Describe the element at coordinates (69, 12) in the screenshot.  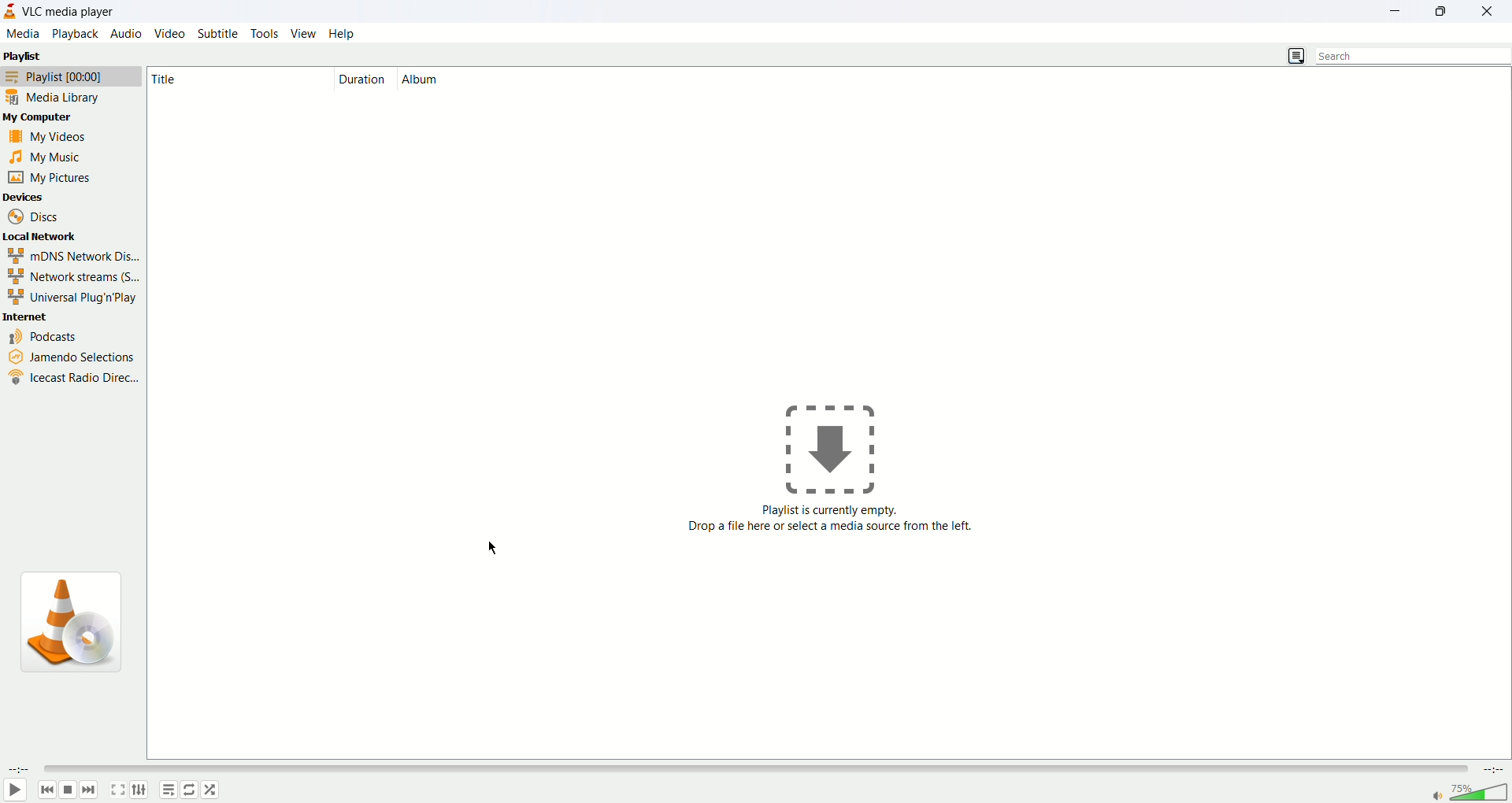
I see `VLC media player` at that location.